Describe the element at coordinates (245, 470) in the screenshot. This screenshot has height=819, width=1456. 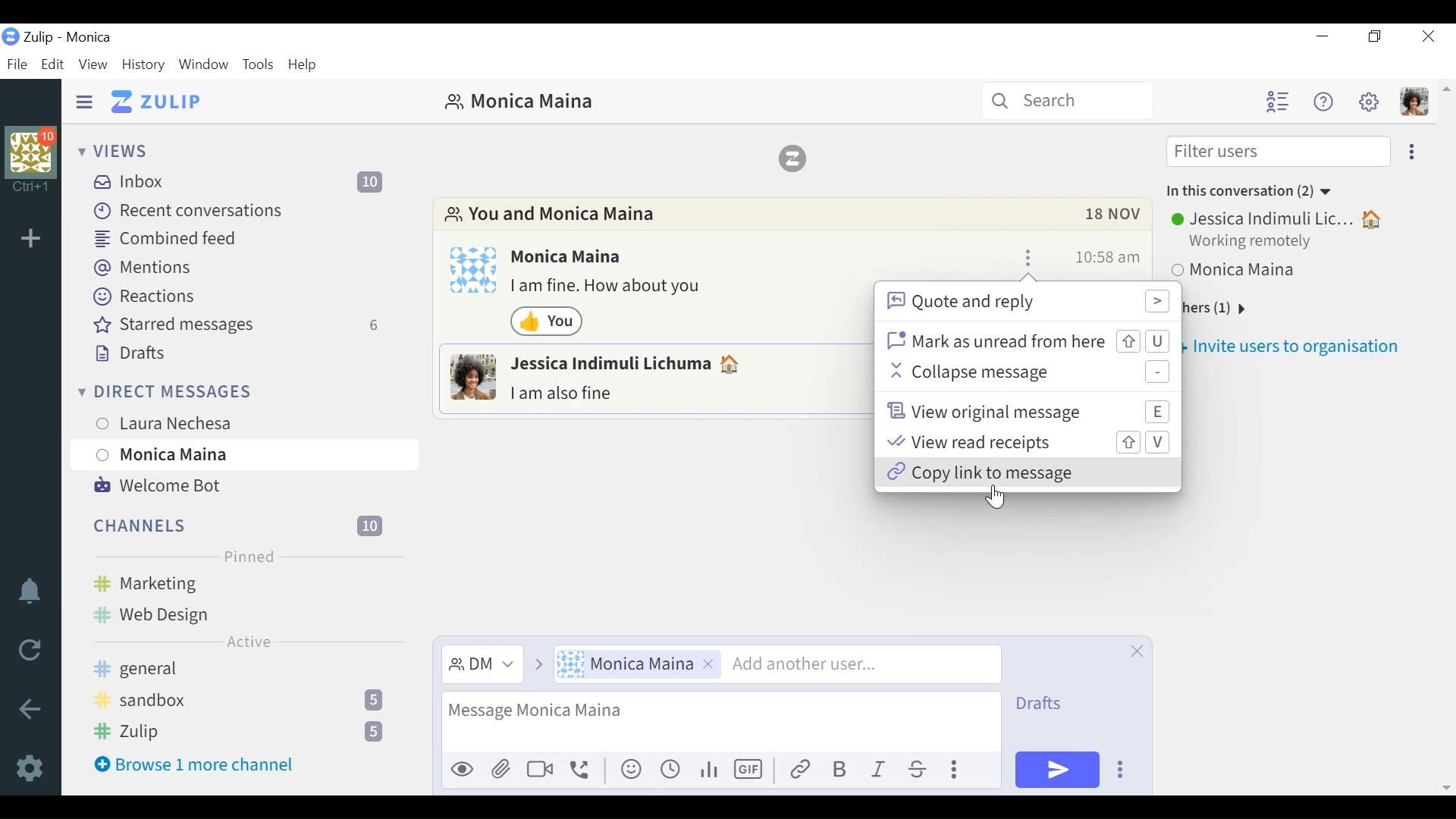
I see `Cursor` at that location.